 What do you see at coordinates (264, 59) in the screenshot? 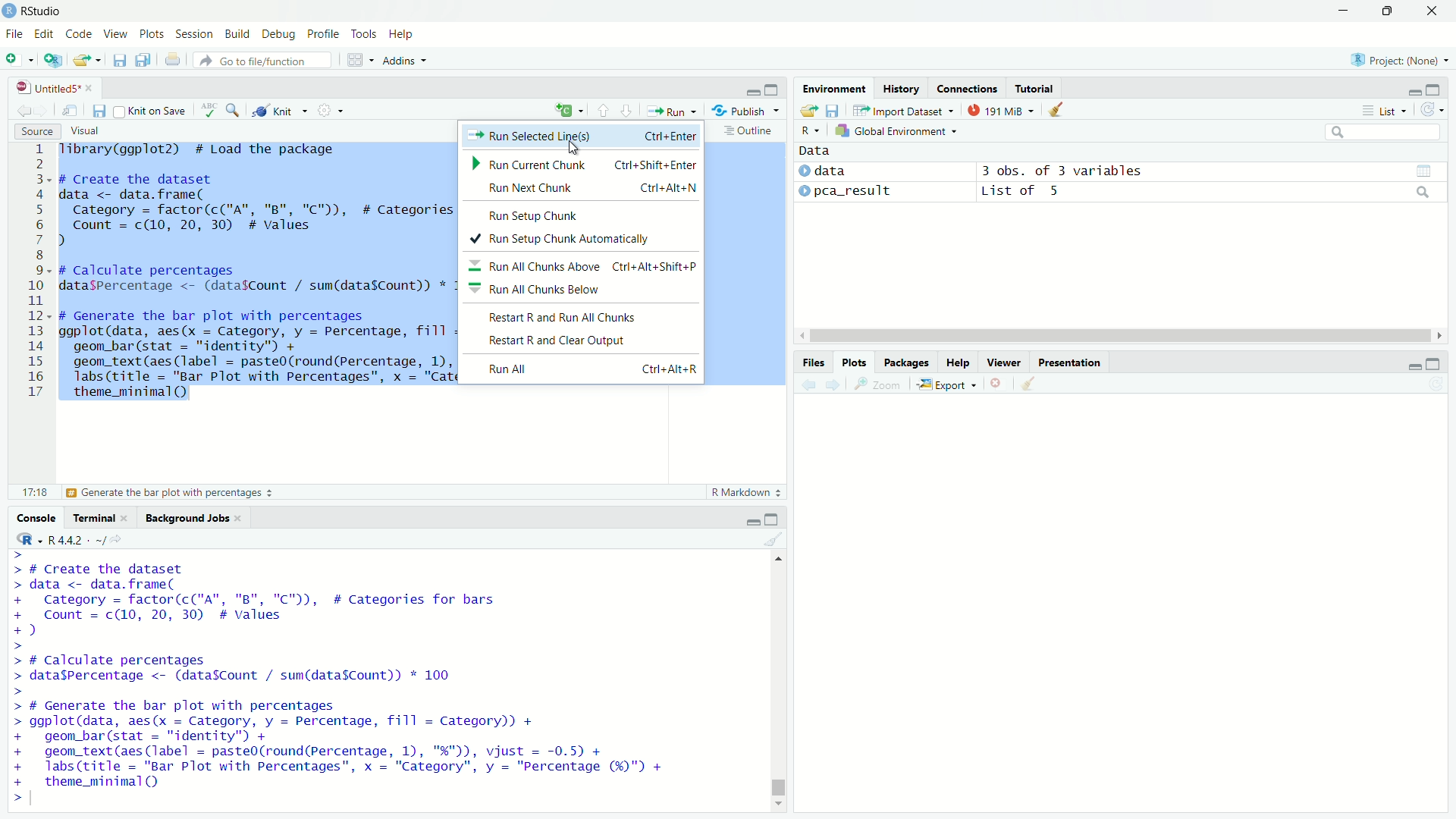
I see `go to file/function` at bounding box center [264, 59].